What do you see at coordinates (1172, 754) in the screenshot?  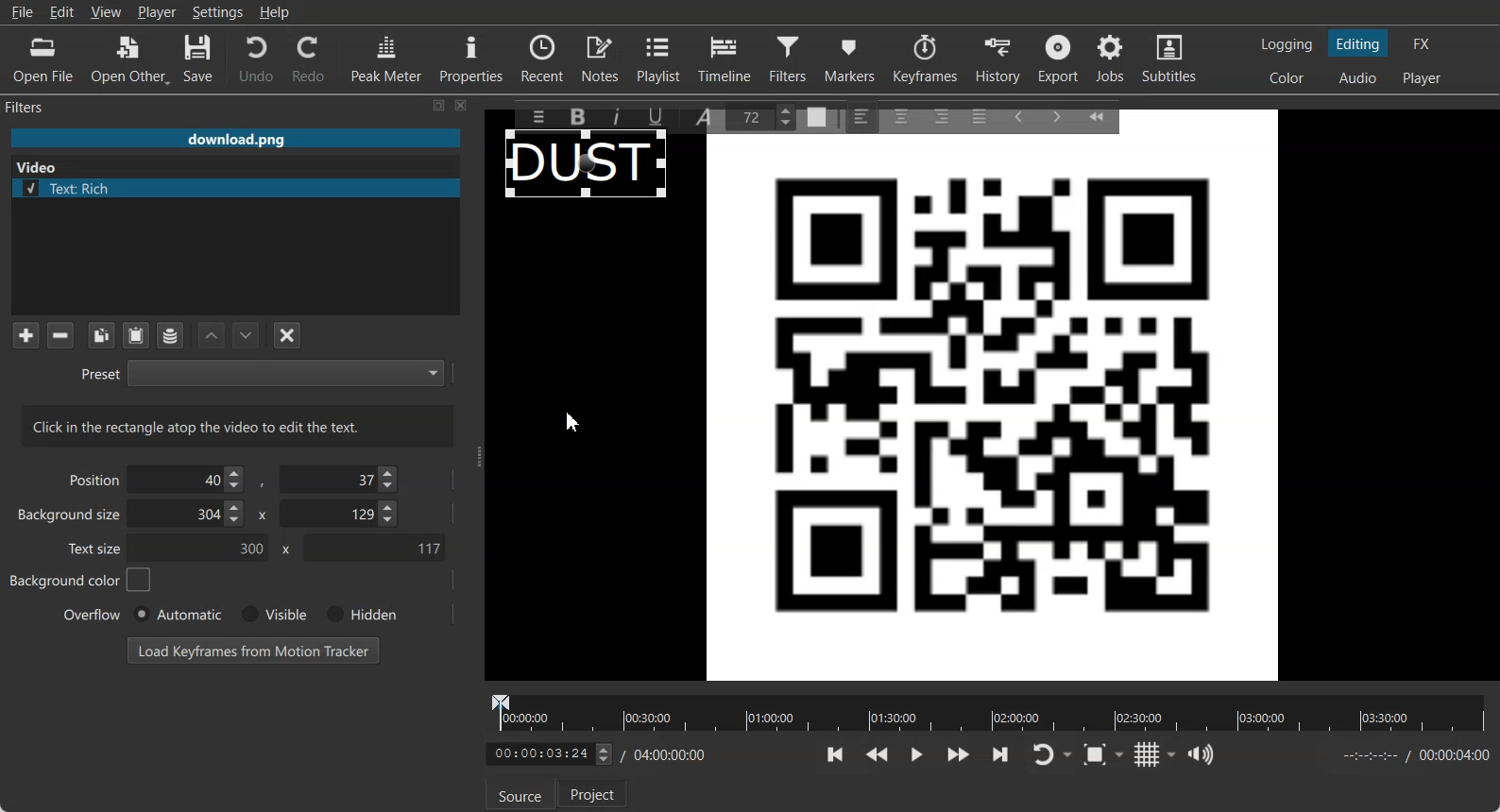 I see `Drop down box` at bounding box center [1172, 754].